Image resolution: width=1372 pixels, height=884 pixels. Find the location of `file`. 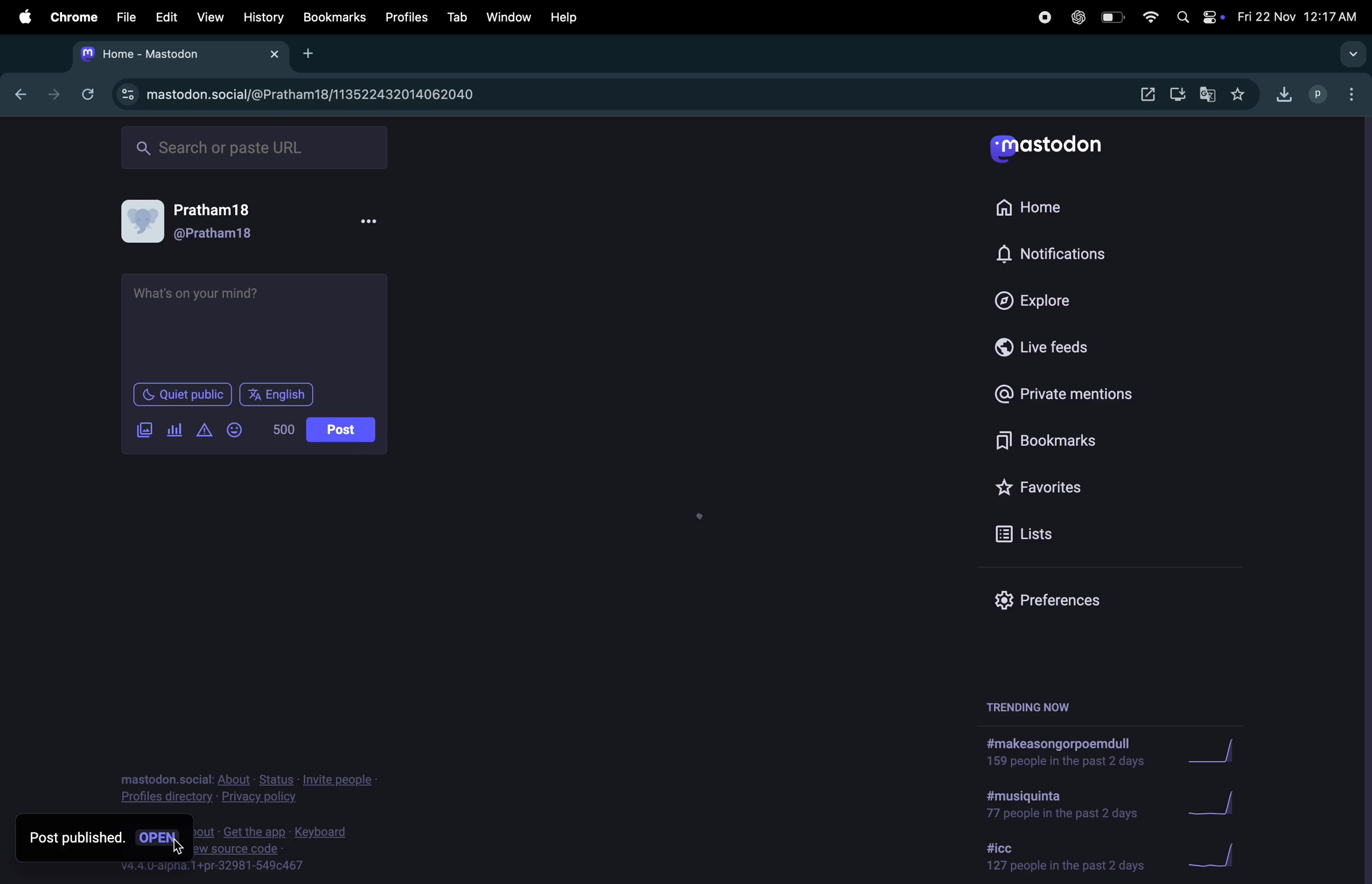

file is located at coordinates (123, 17).